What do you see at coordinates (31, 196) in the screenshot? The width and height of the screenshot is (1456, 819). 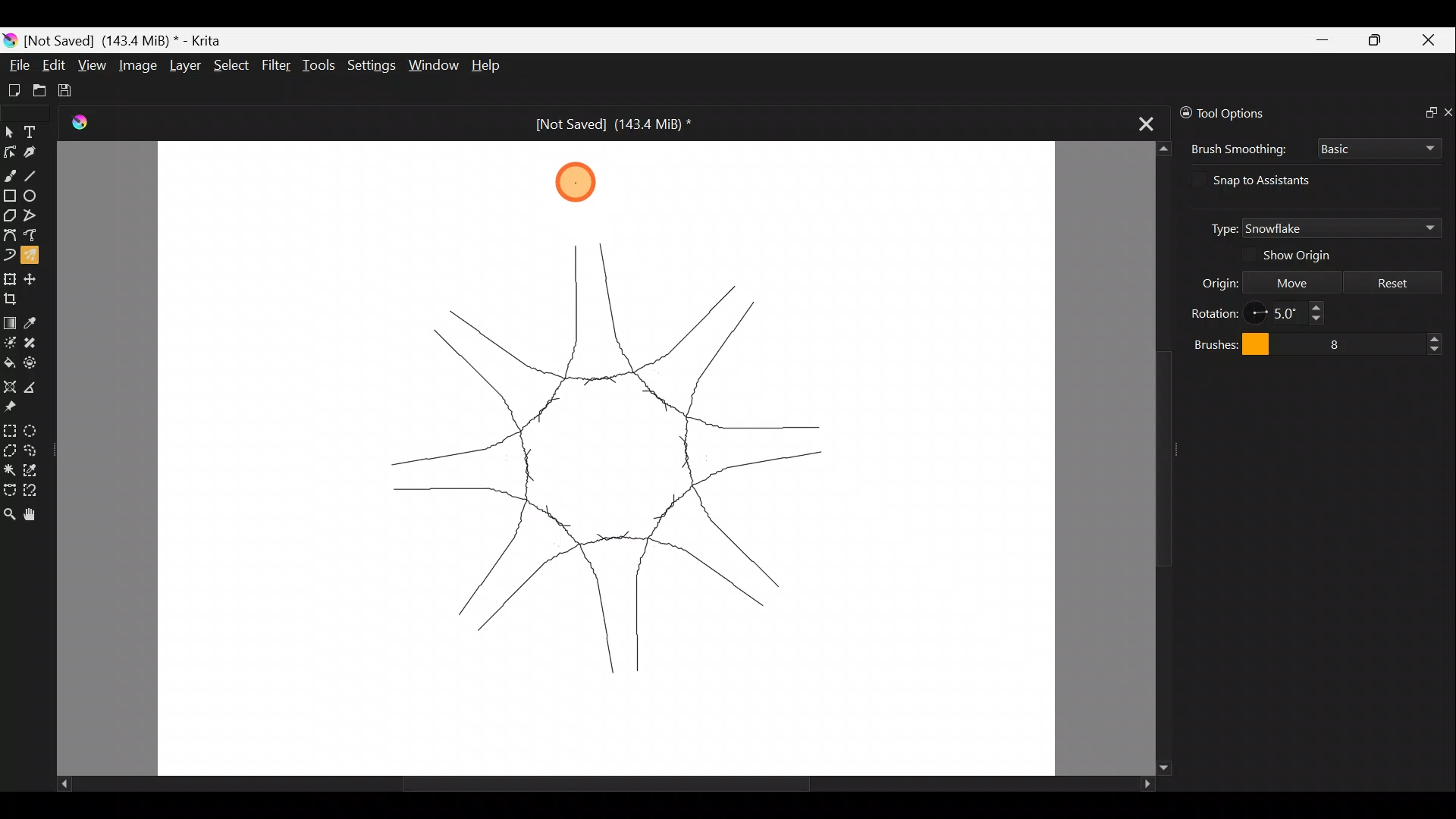 I see `Ellipse` at bounding box center [31, 196].